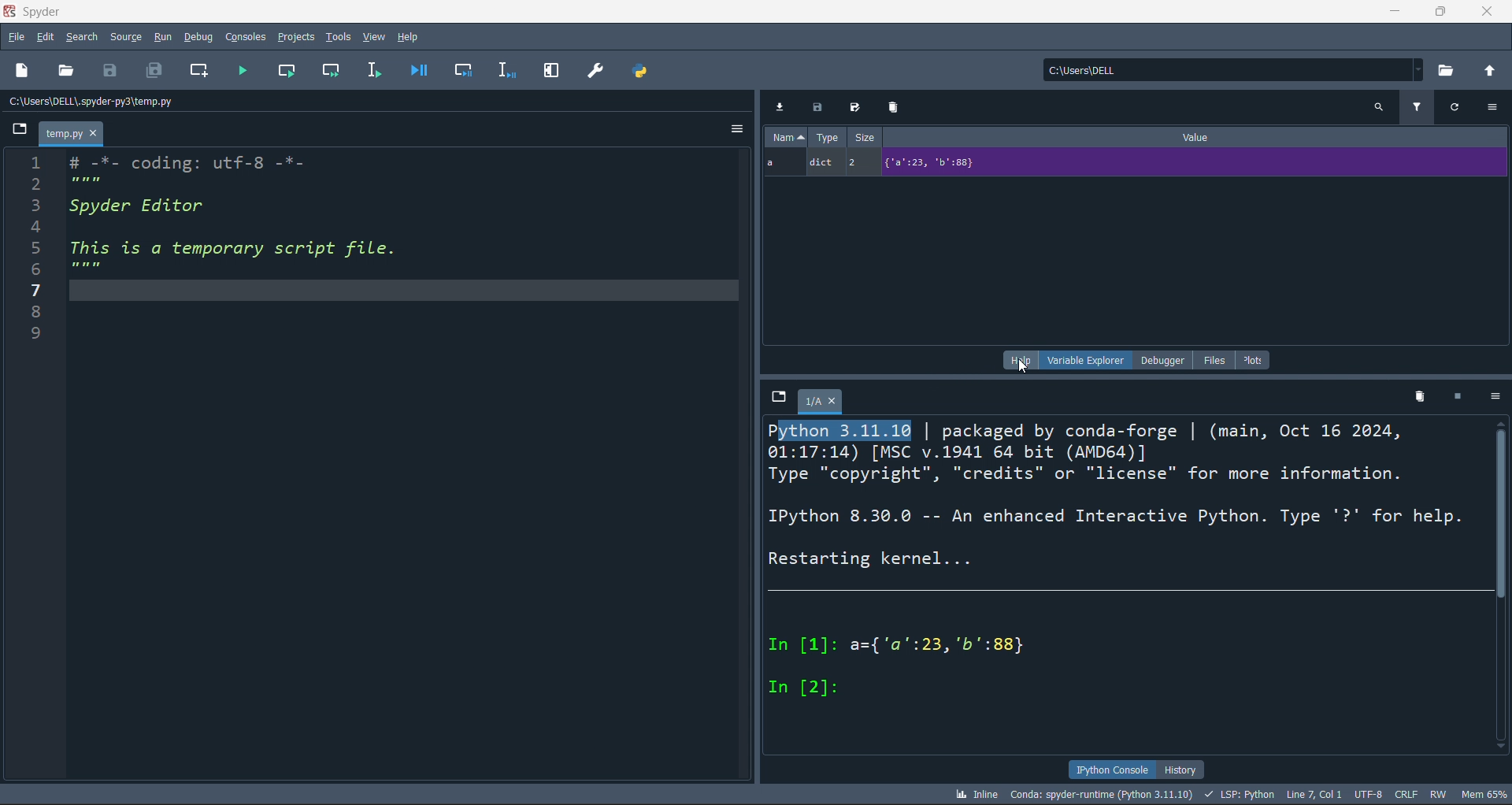 This screenshot has height=805, width=1512. I want to click on run line, so click(370, 69).